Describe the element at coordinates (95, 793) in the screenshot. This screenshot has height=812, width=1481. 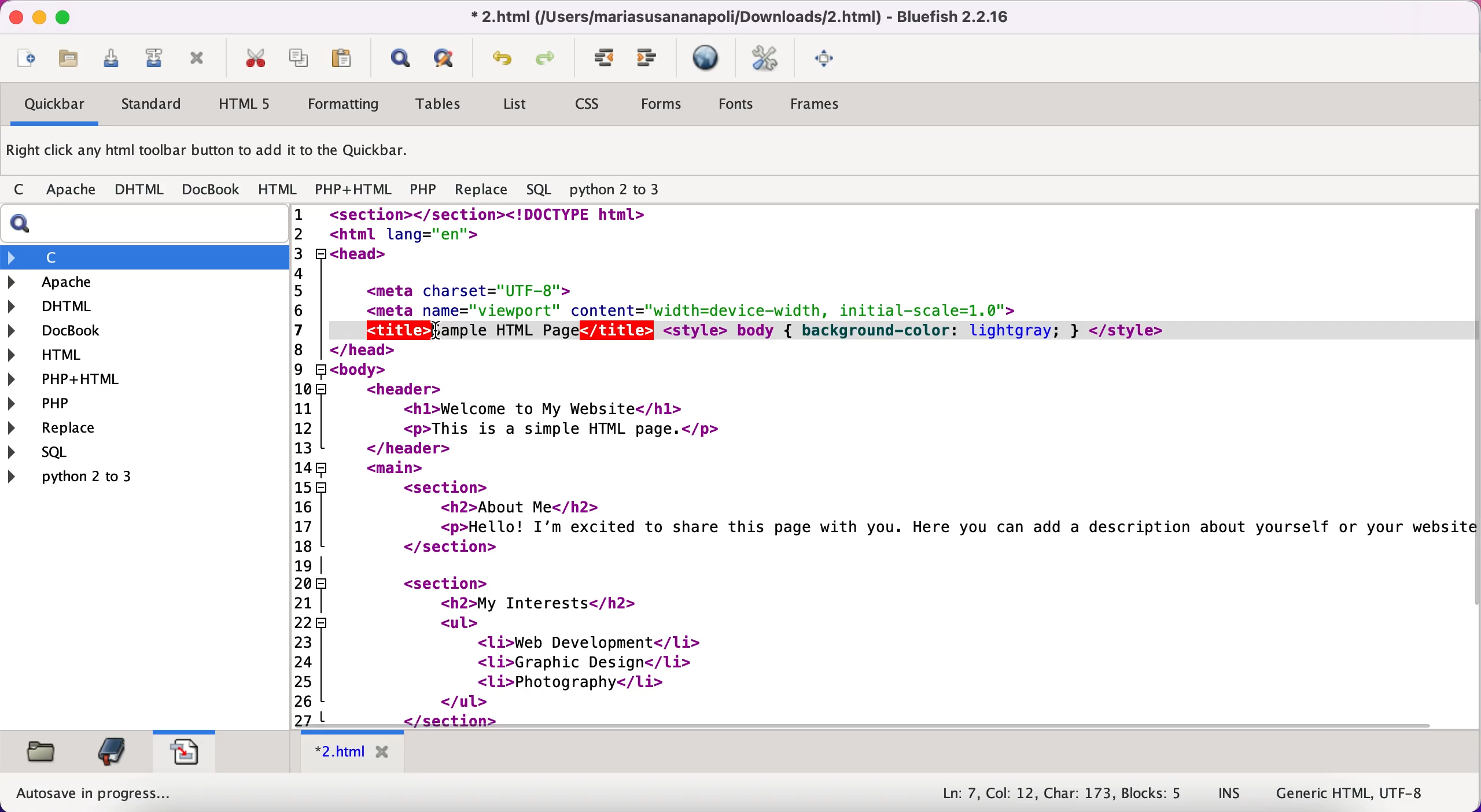
I see `autosave in progress...` at that location.